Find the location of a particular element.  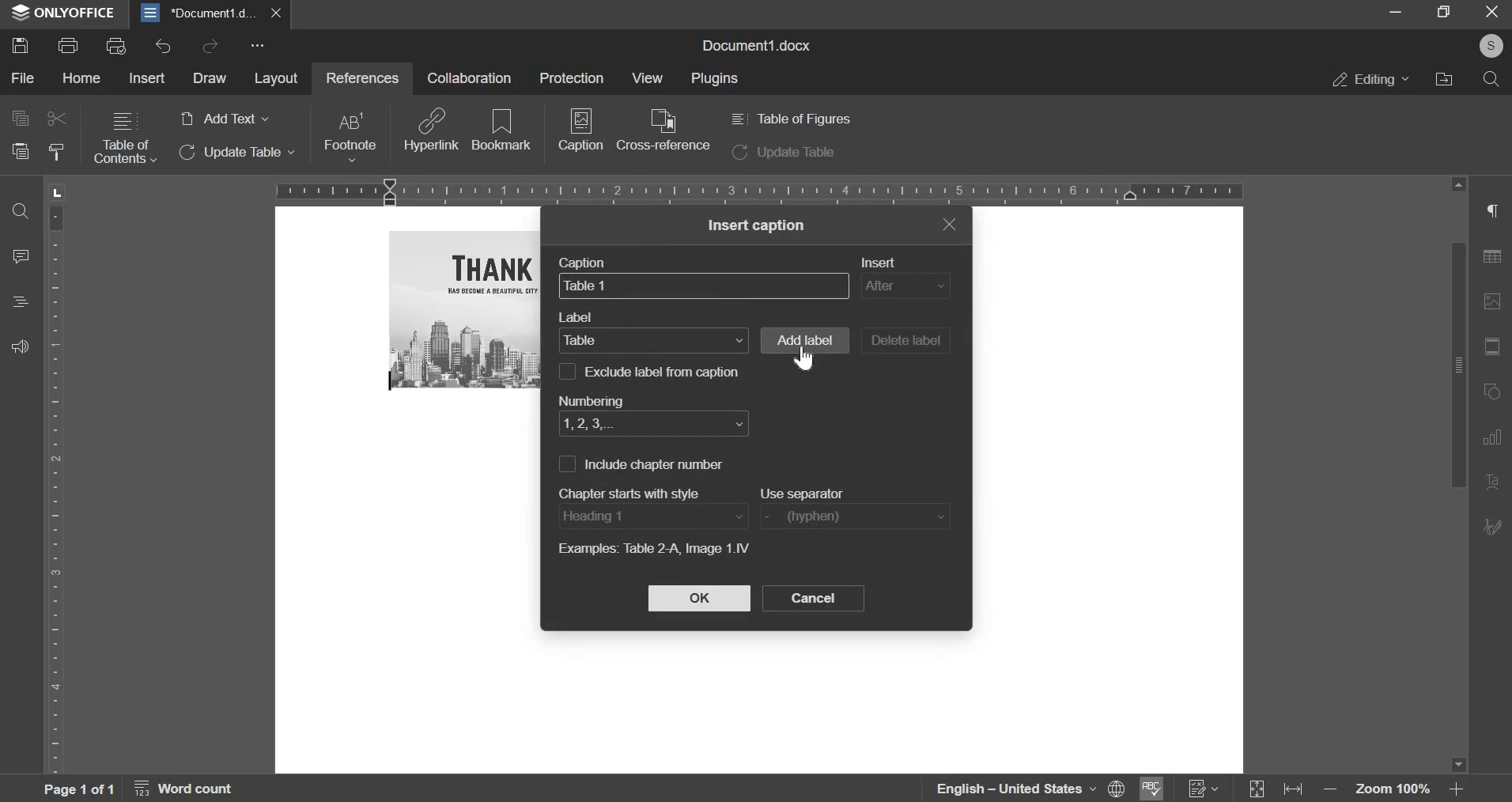

rotate is located at coordinates (1495, 393).